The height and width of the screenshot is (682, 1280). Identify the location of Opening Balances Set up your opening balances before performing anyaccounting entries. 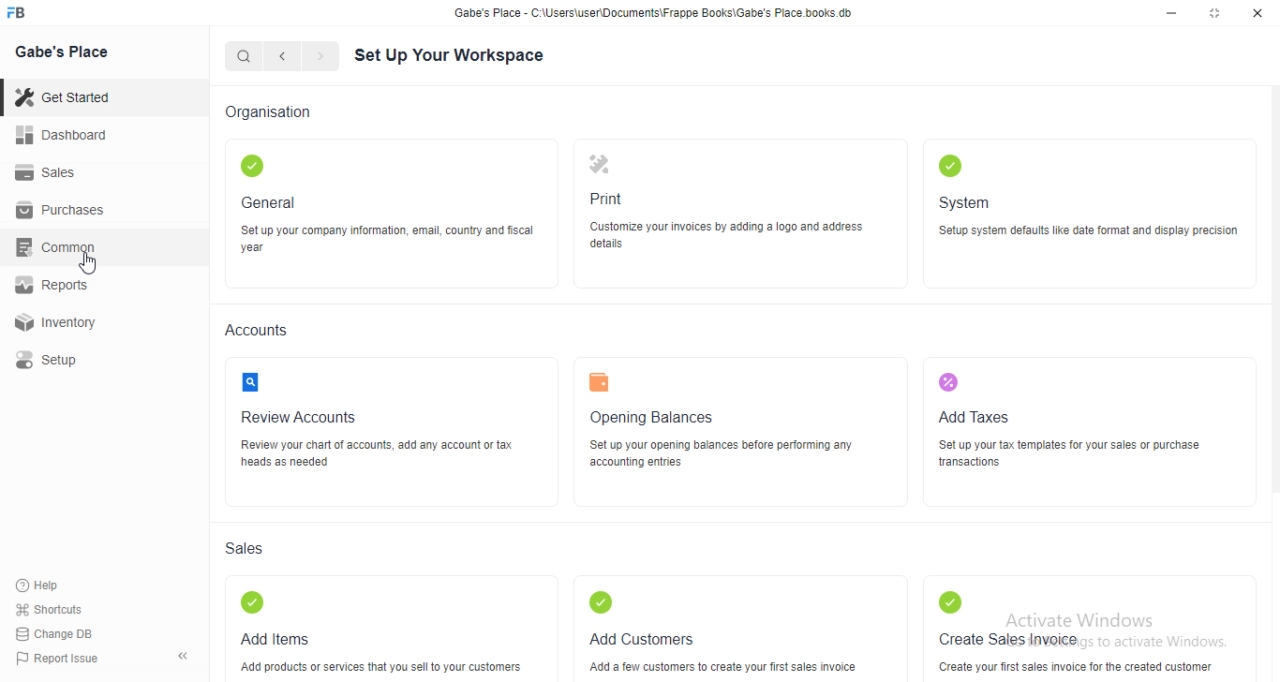
(725, 426).